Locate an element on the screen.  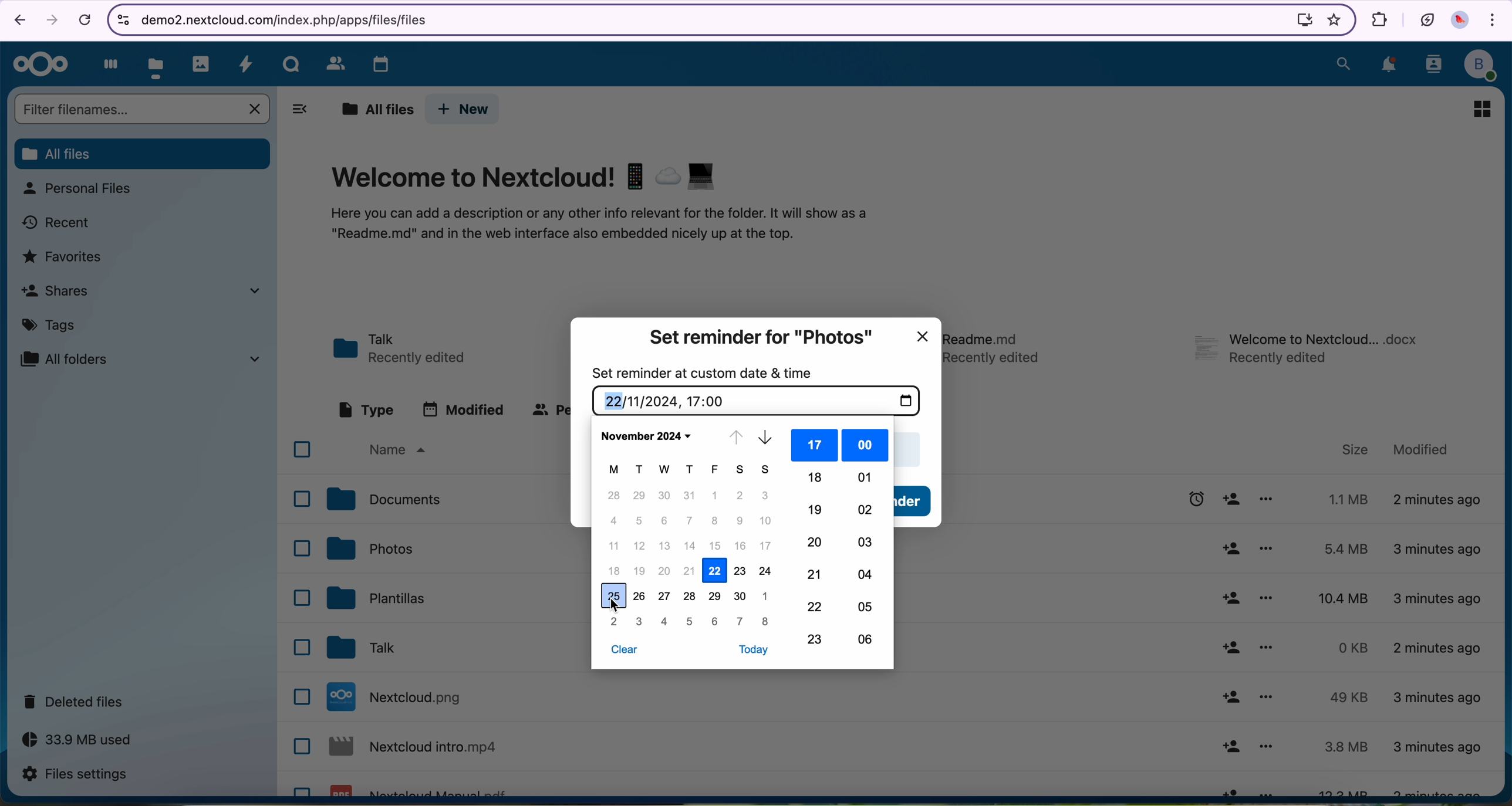
personal files is located at coordinates (82, 190).